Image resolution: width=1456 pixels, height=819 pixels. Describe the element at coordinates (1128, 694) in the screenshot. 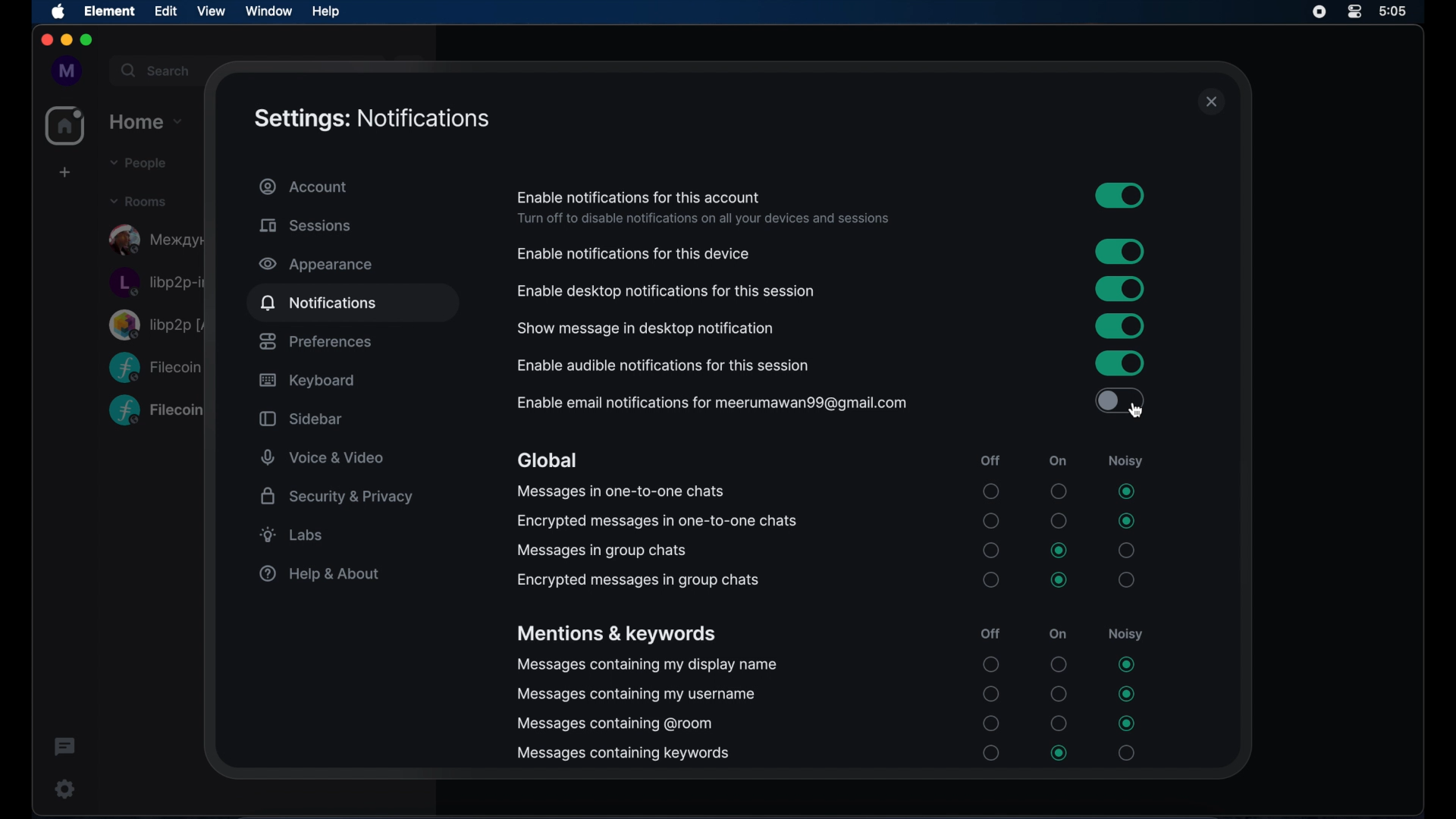

I see `radio button` at that location.